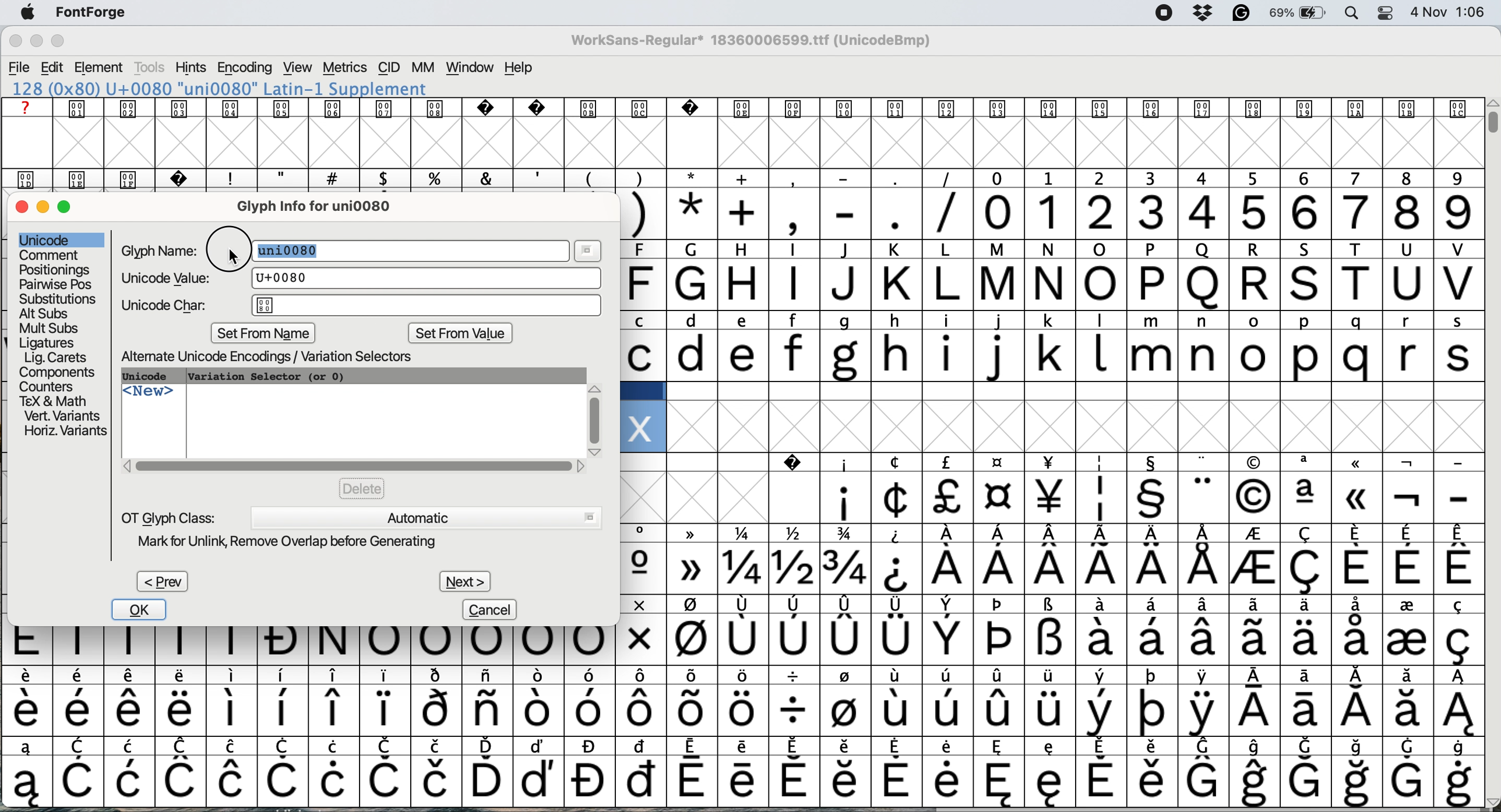 The image size is (1501, 812). Describe the element at coordinates (54, 357) in the screenshot. I see `lig carets` at that location.